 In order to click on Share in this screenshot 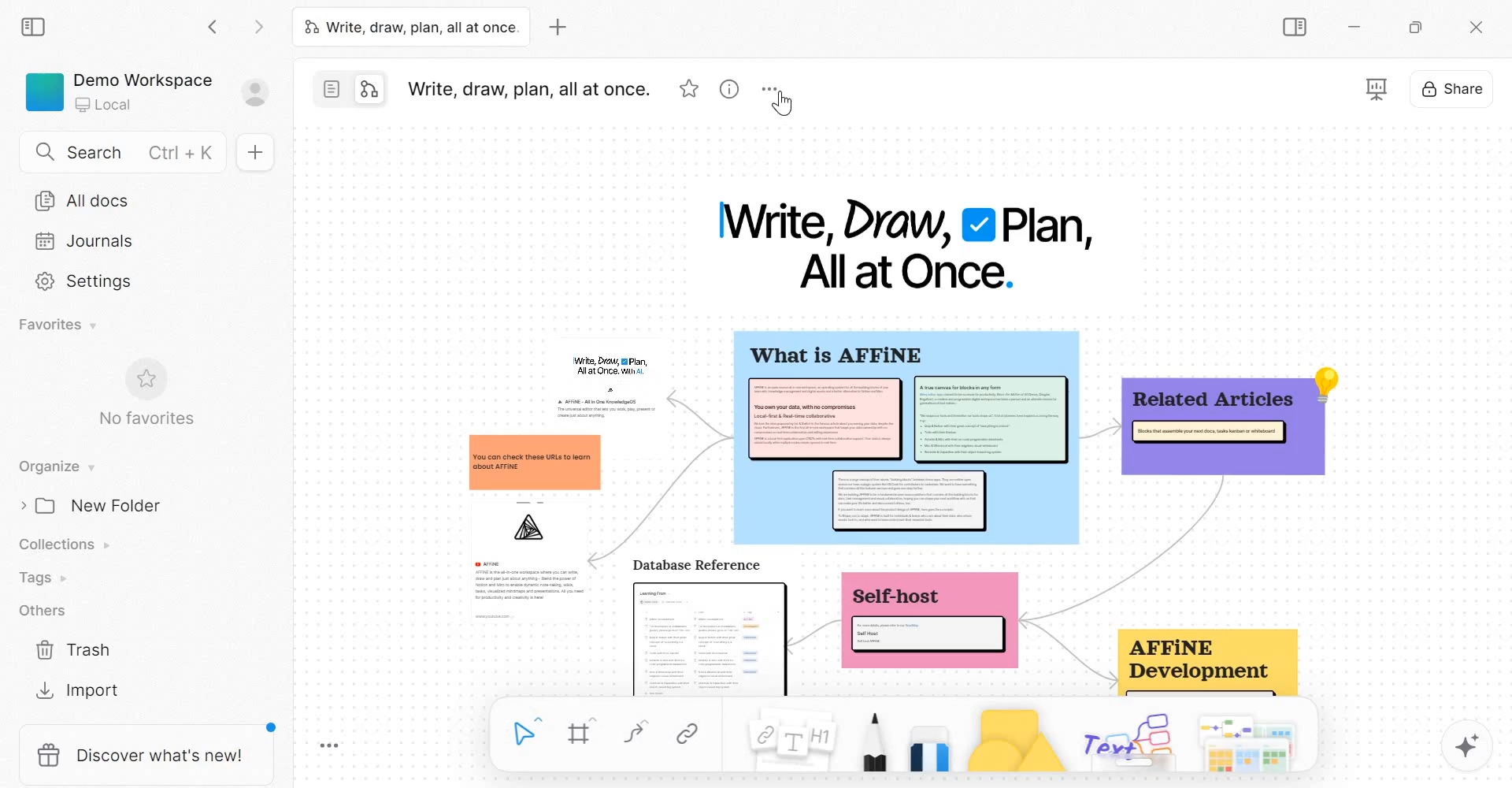, I will do `click(1451, 87)`.